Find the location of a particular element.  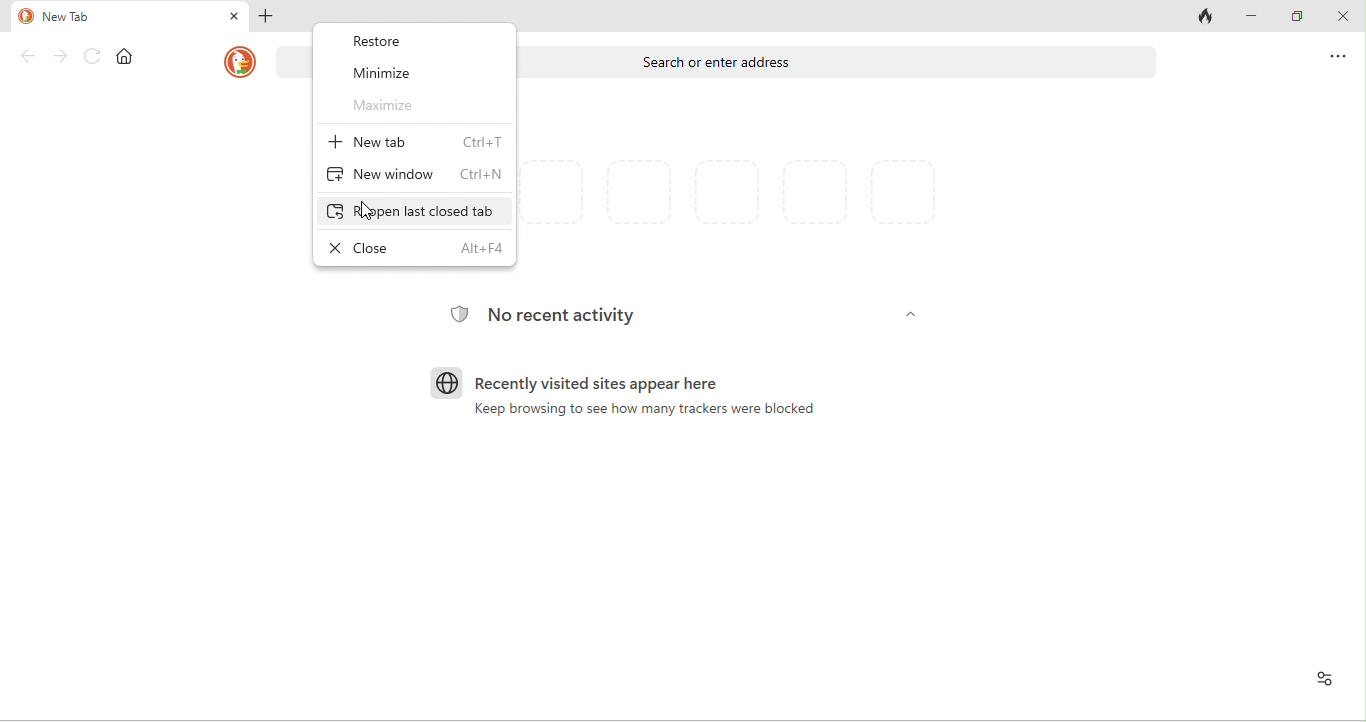

home is located at coordinates (125, 55).